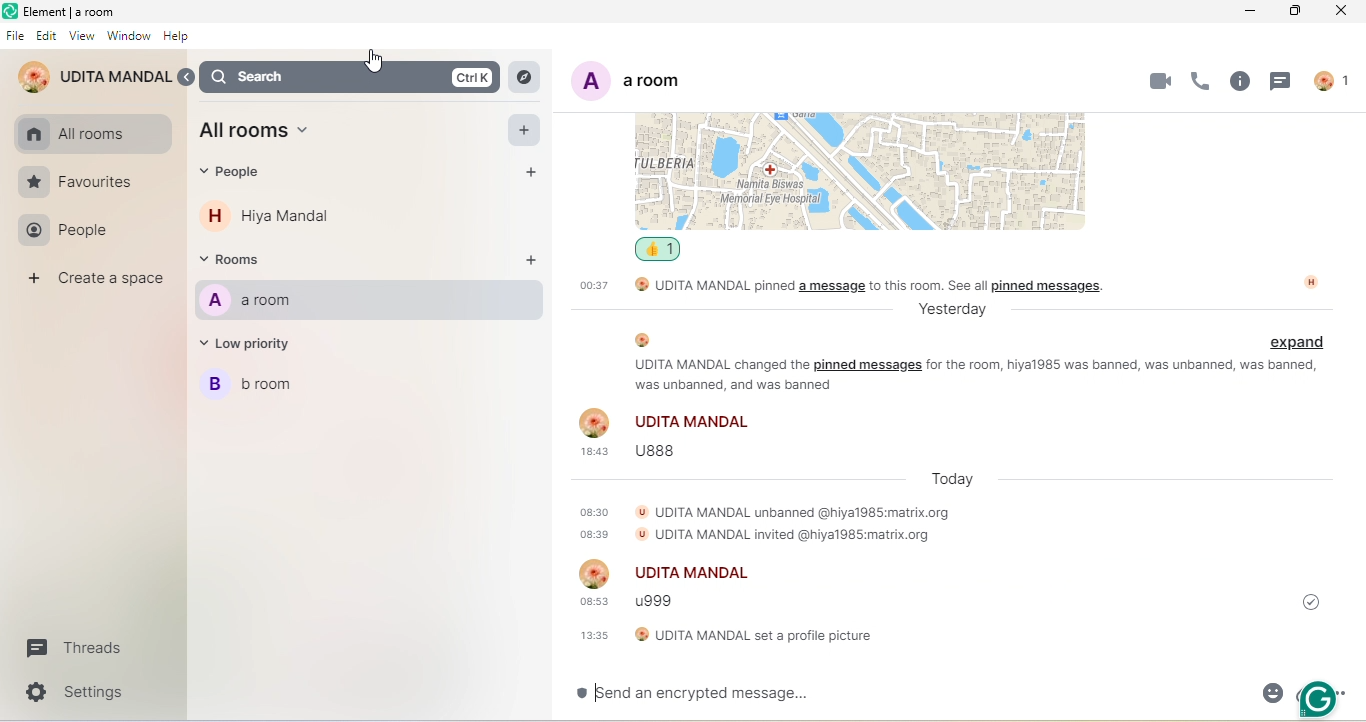 The width and height of the screenshot is (1366, 722). What do you see at coordinates (128, 38) in the screenshot?
I see `Window` at bounding box center [128, 38].